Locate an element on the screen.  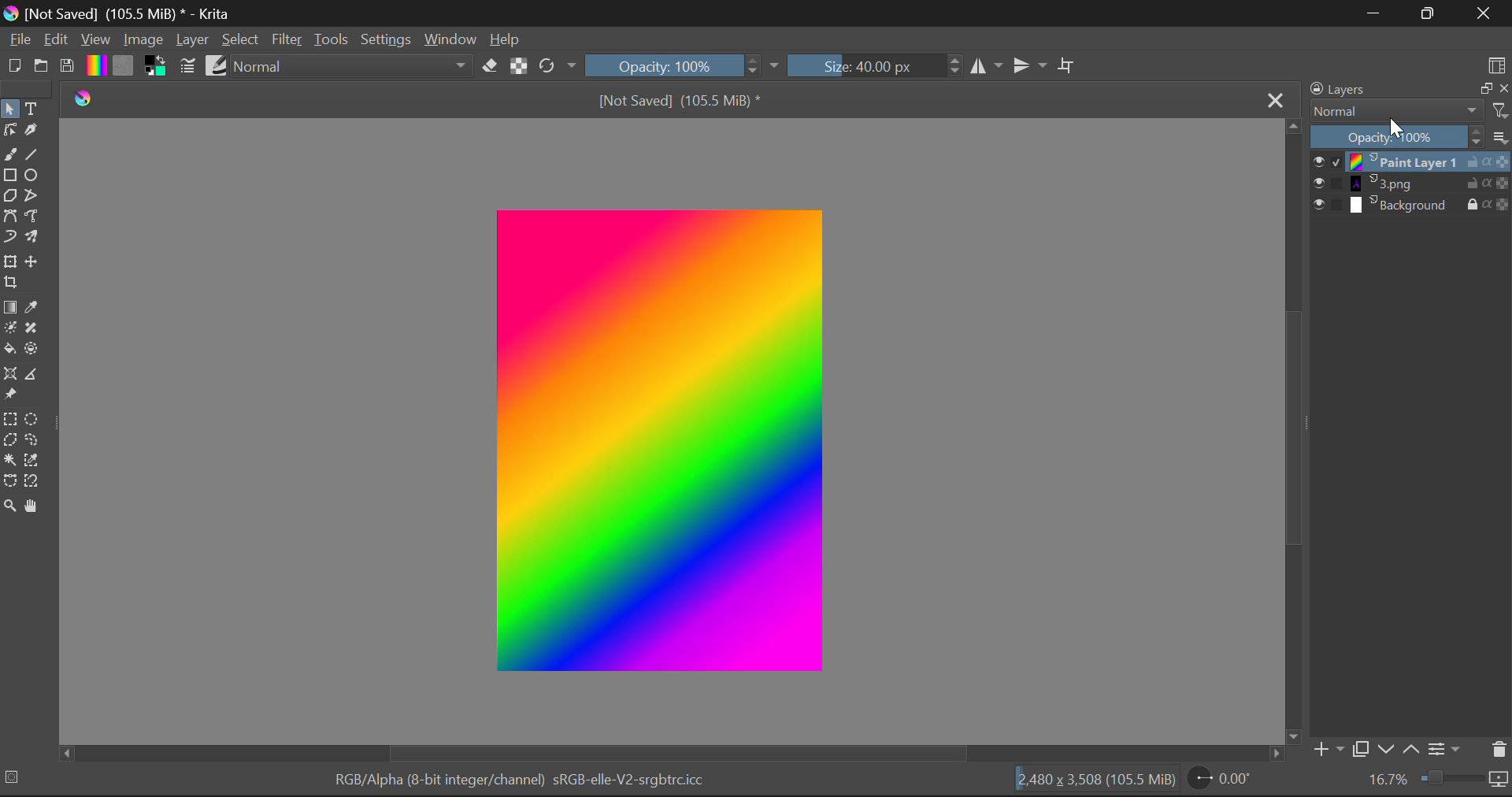
Freehand is located at coordinates (11, 154).